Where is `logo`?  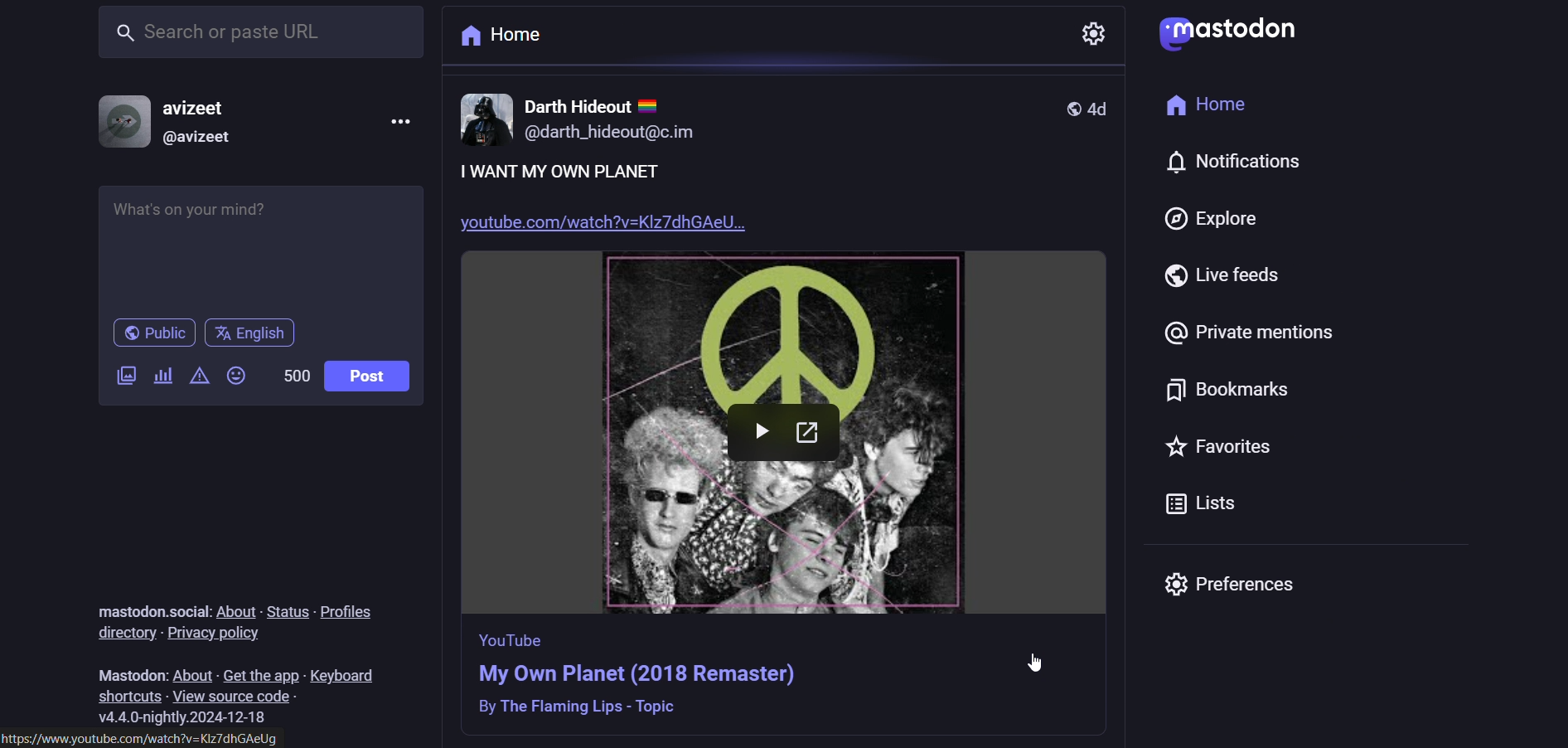 logo is located at coordinates (1235, 31).